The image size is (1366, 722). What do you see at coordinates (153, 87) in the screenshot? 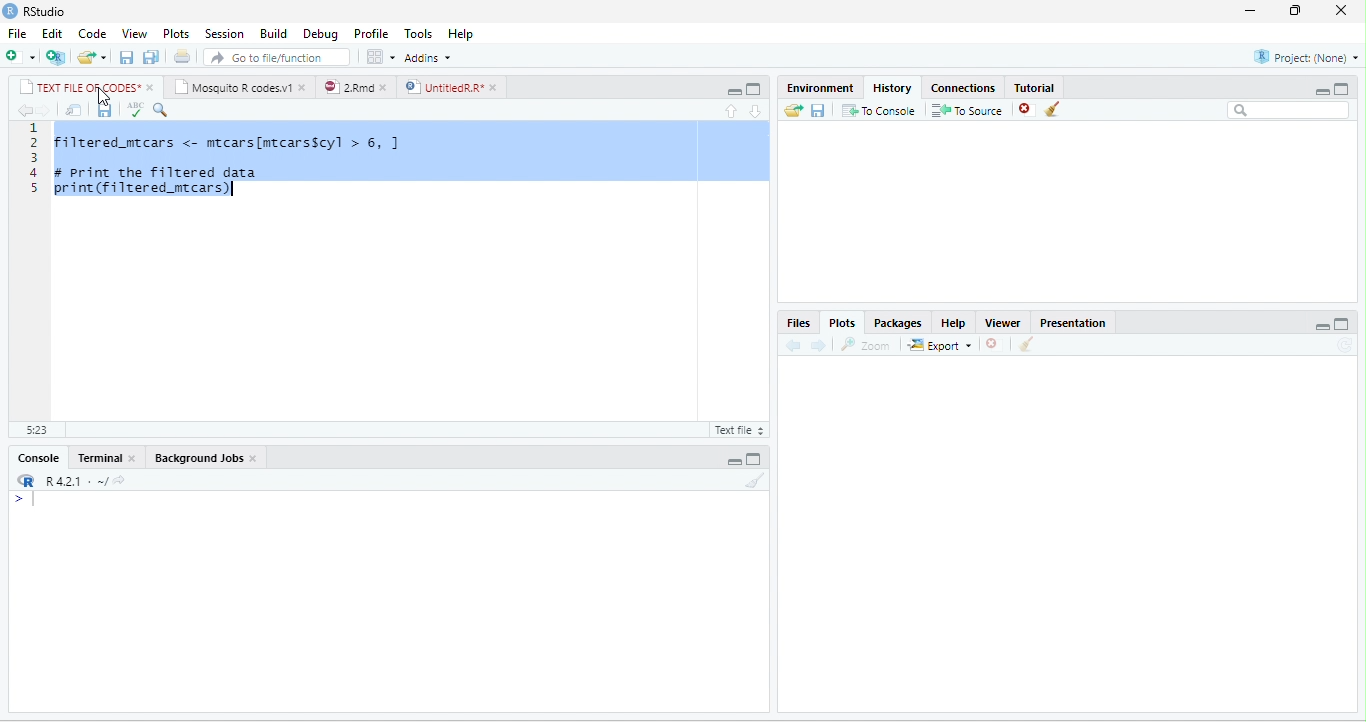
I see `close` at bounding box center [153, 87].